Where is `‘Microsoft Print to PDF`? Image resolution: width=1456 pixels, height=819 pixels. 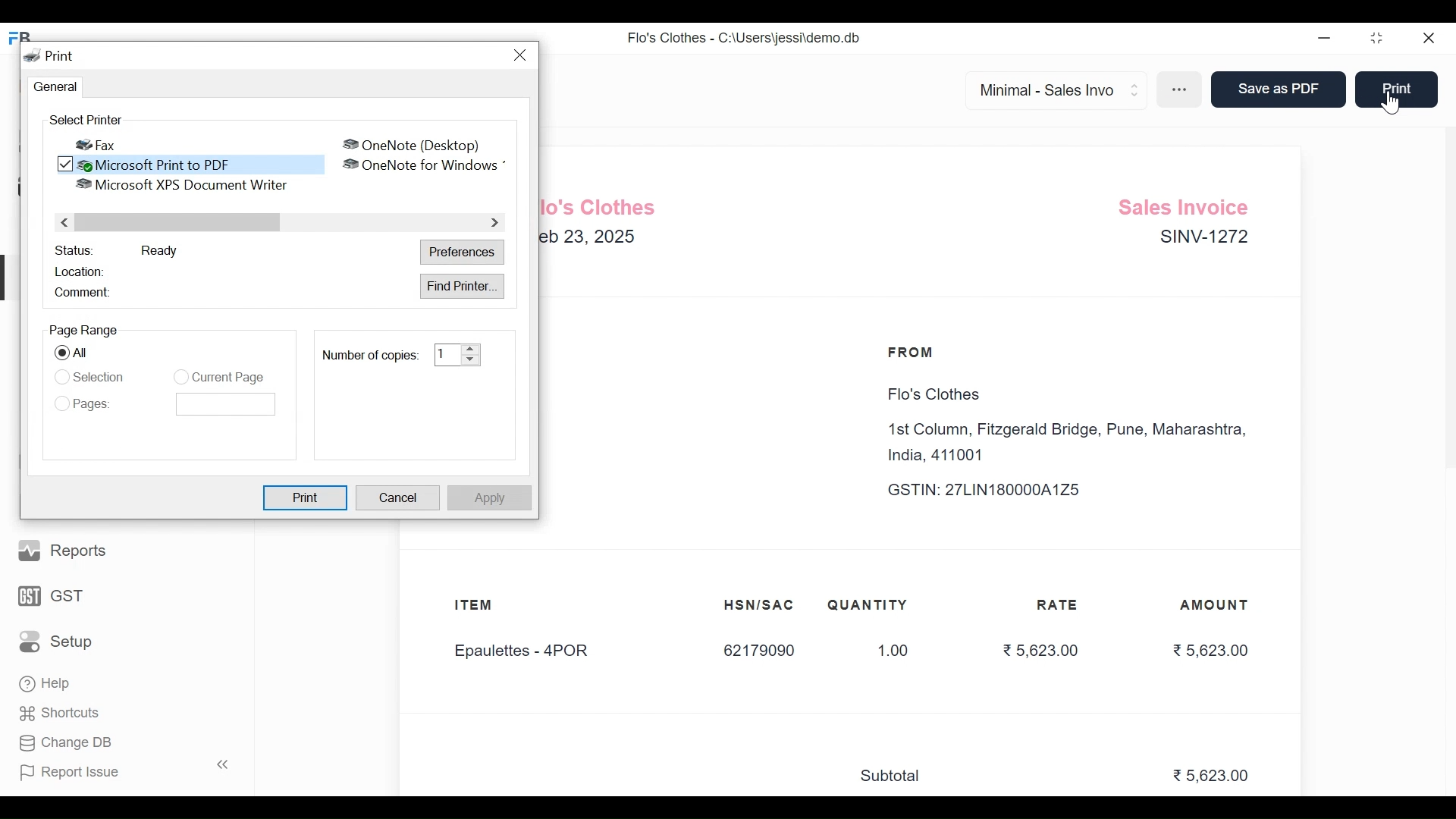 ‘Microsoft Print to PDF is located at coordinates (201, 164).